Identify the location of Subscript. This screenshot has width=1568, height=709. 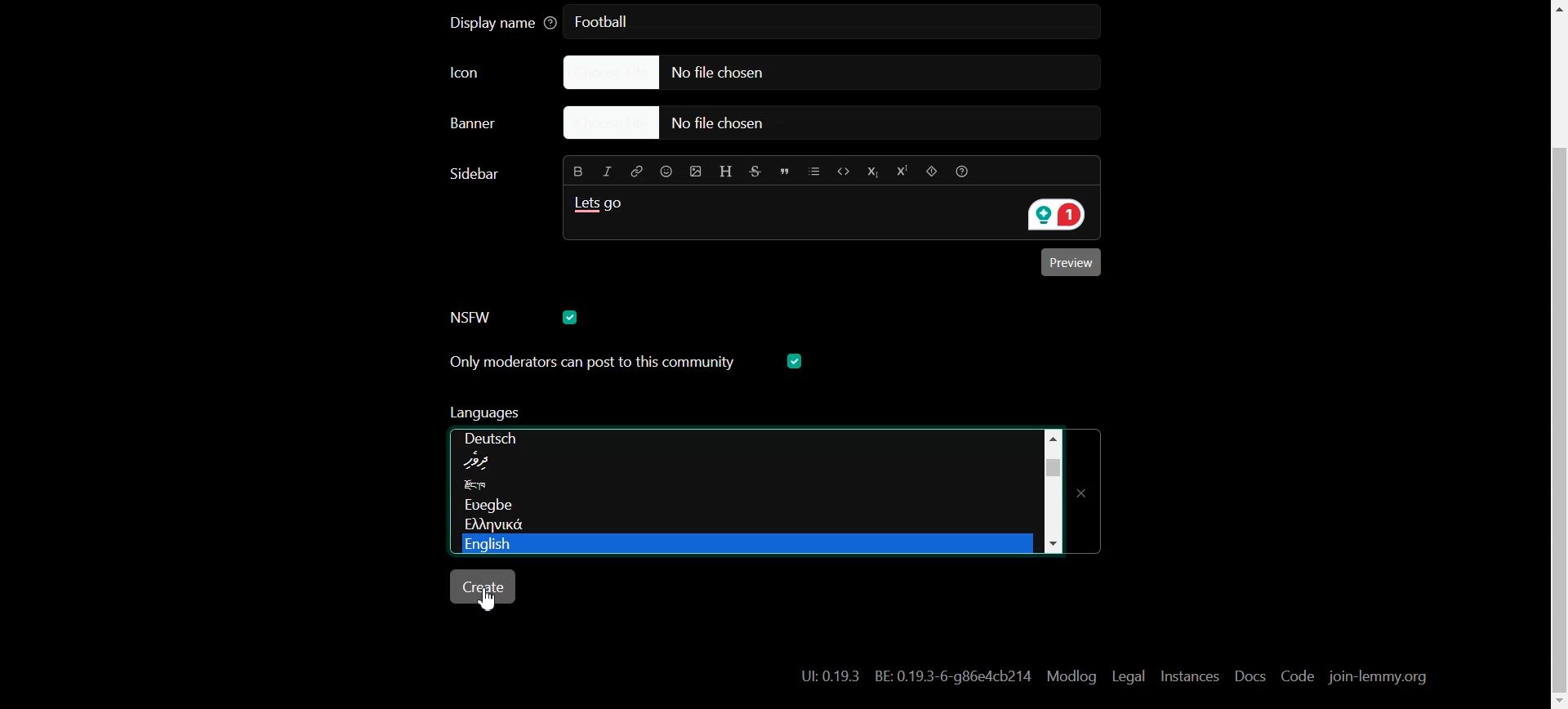
(871, 171).